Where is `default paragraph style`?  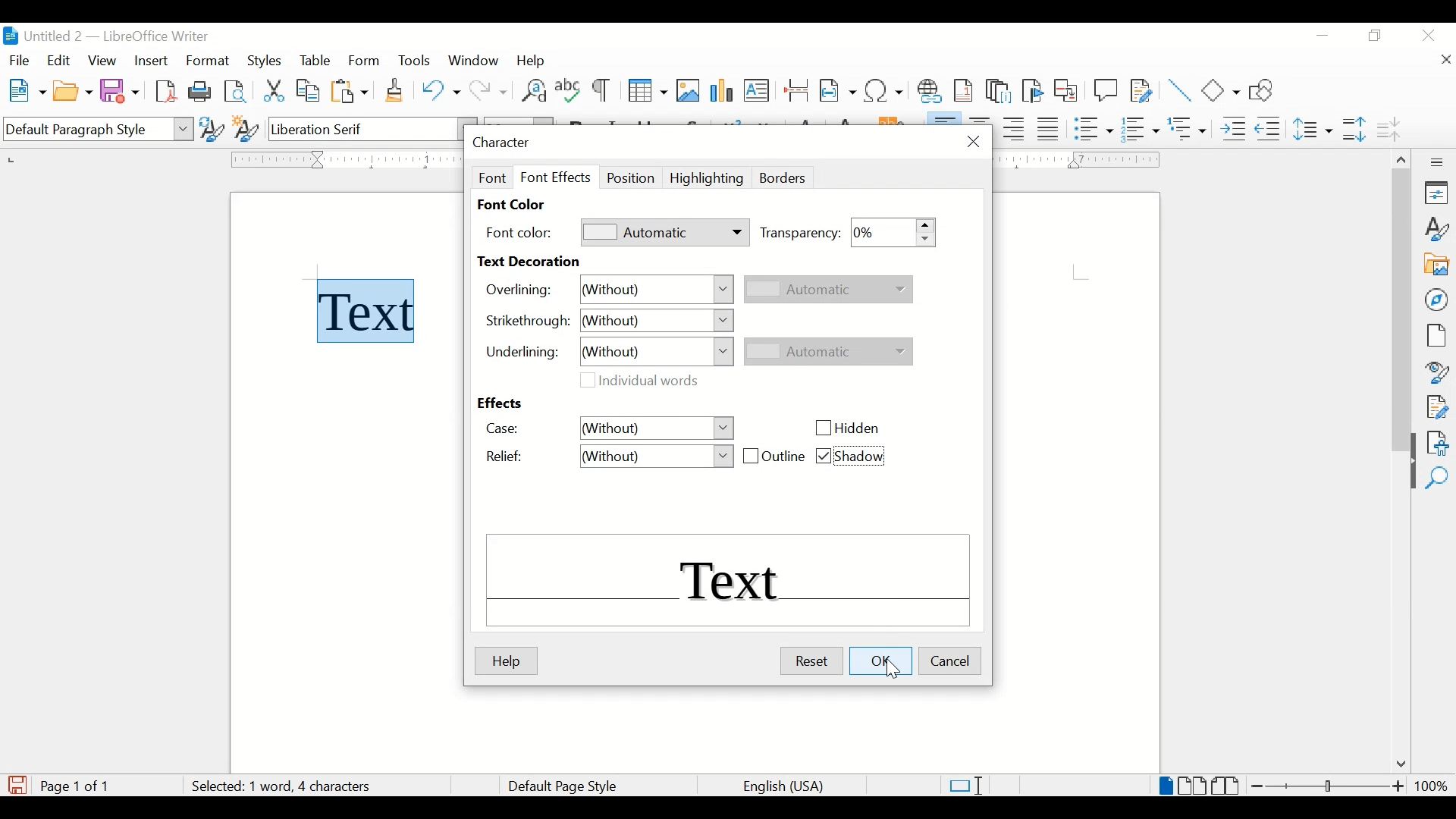
default paragraph style is located at coordinates (96, 130).